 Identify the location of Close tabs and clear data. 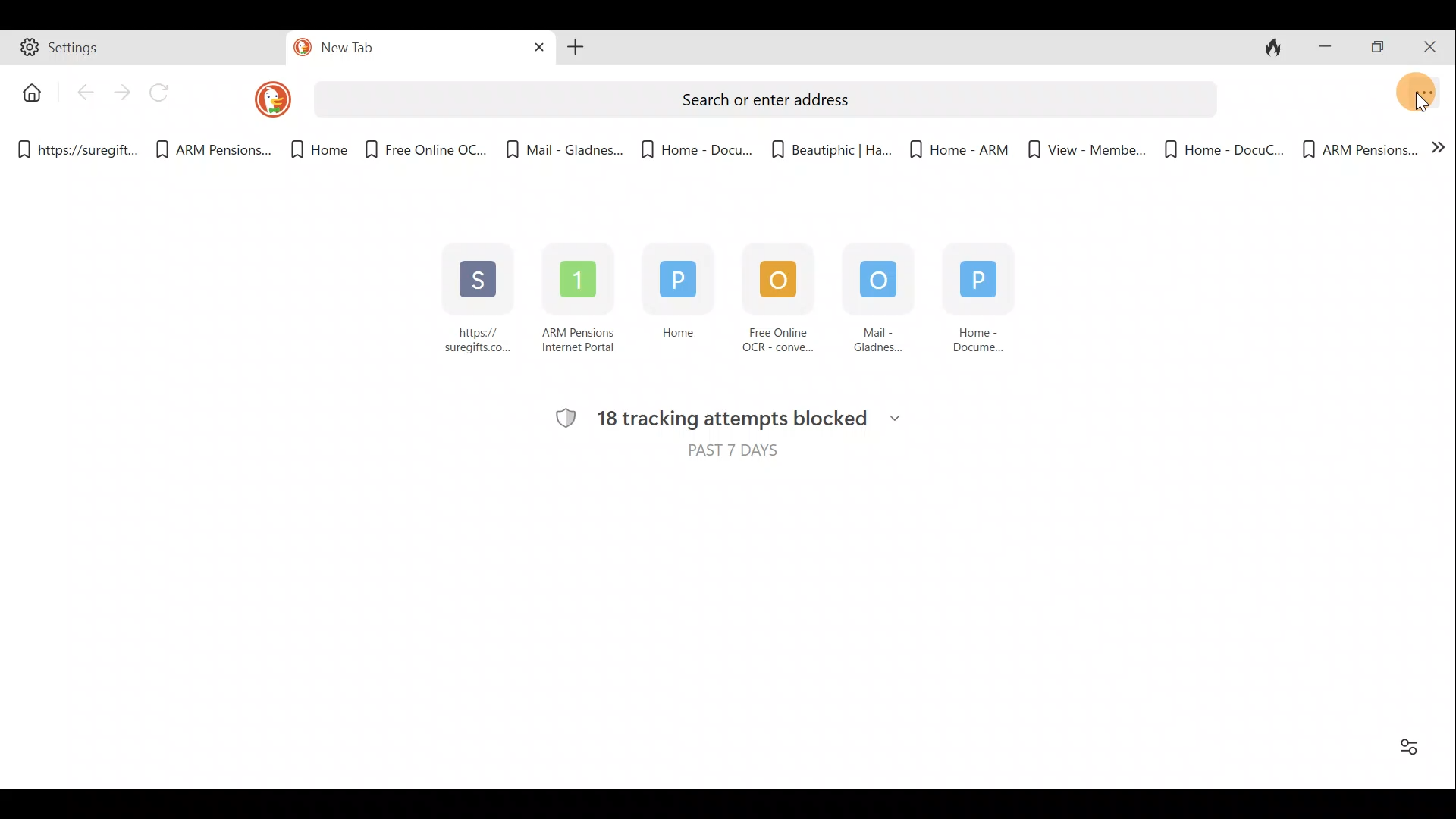
(1277, 48).